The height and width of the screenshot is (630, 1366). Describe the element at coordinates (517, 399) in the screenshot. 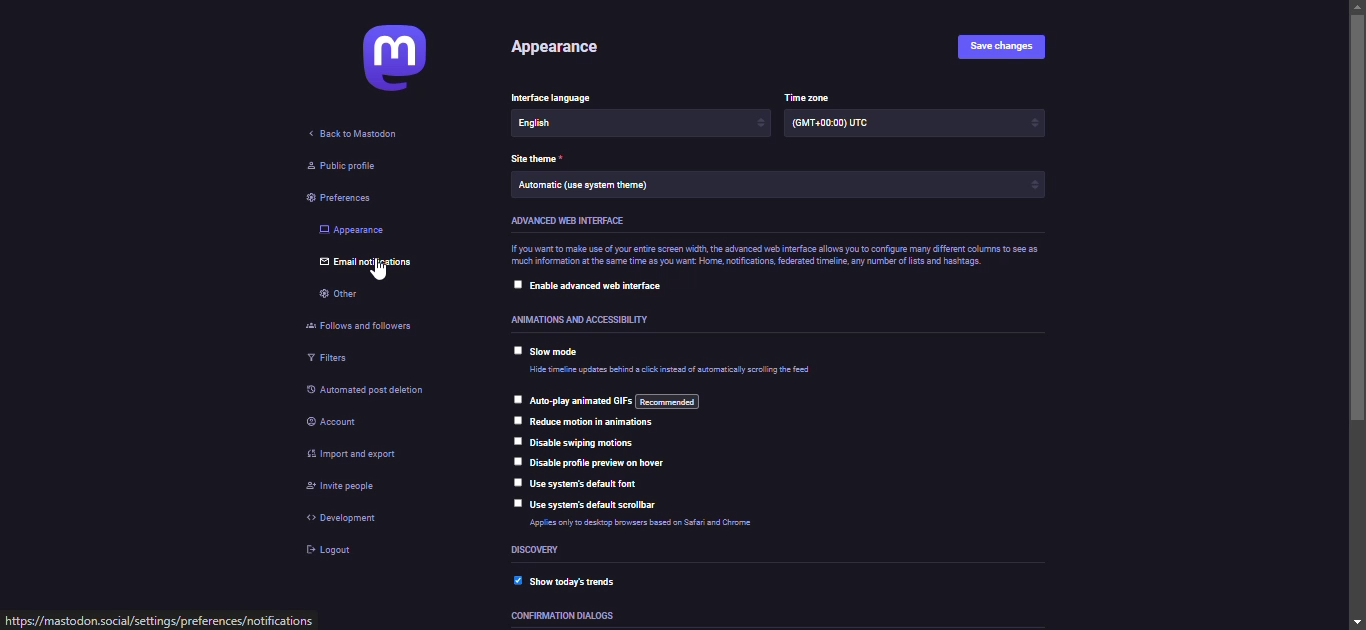

I see `click to select` at that location.